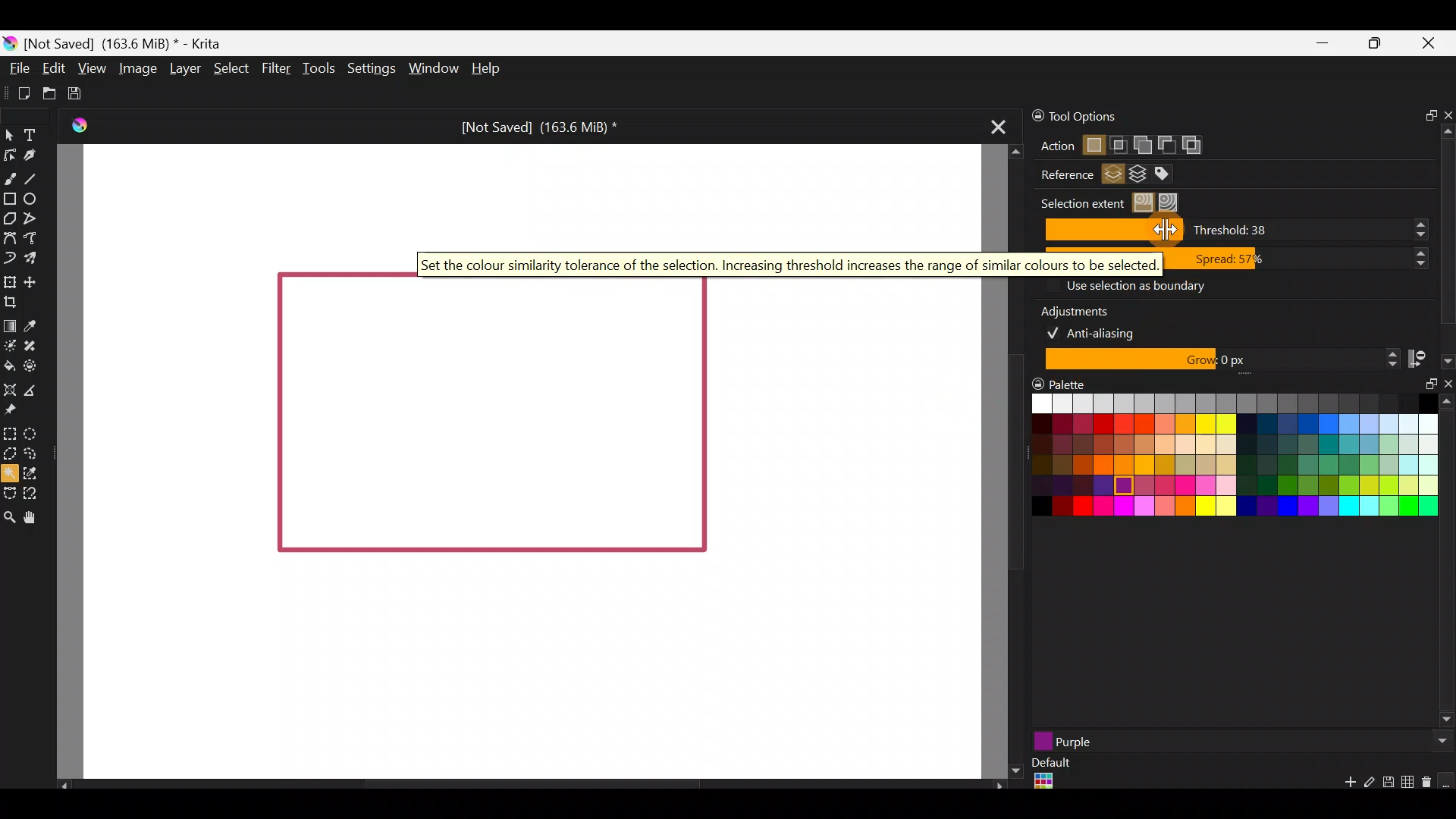 Image resolution: width=1456 pixels, height=819 pixels. Describe the element at coordinates (1447, 563) in the screenshot. I see `Scroll bar` at that location.